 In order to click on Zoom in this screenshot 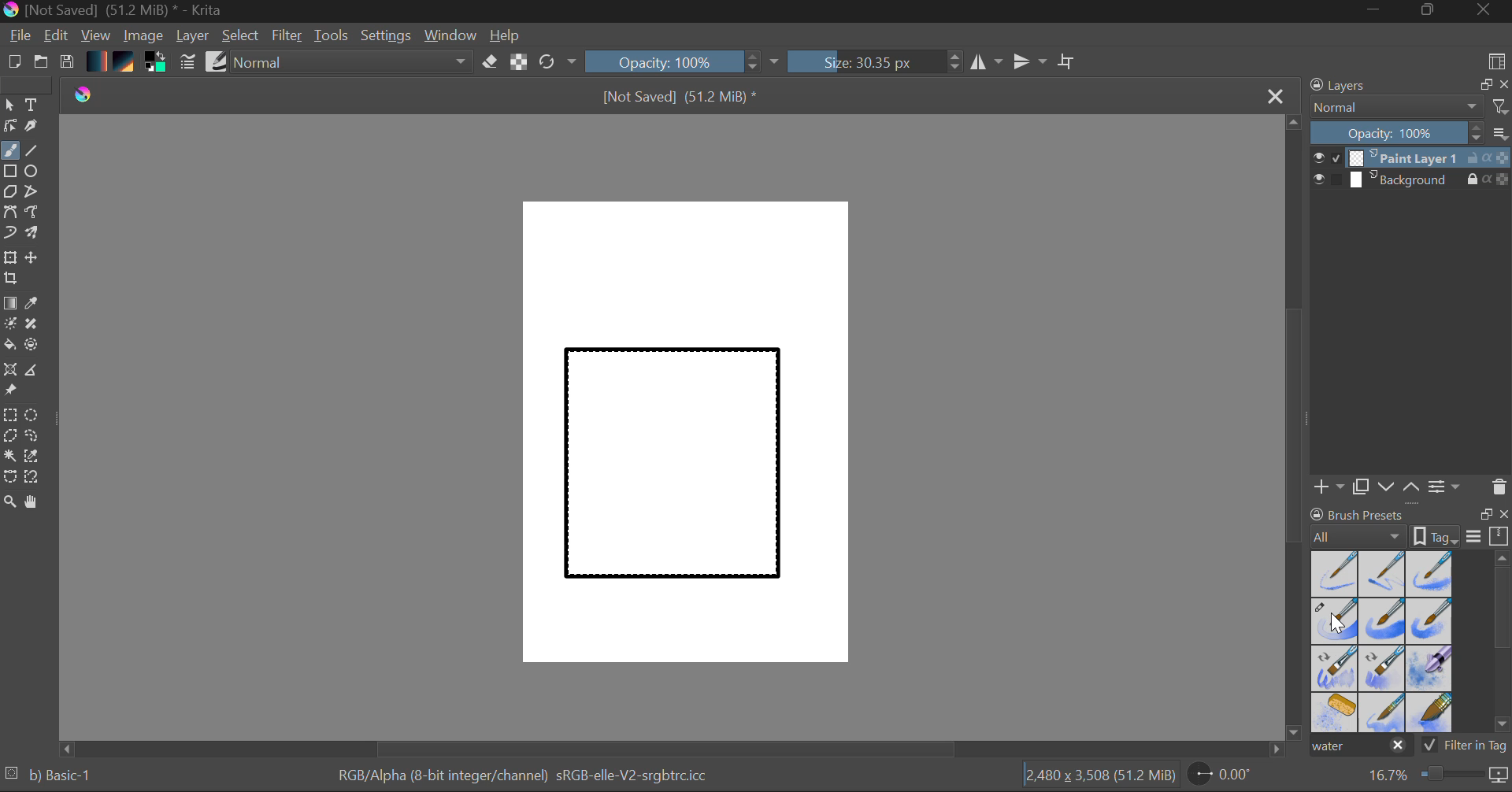, I will do `click(1436, 775)`.